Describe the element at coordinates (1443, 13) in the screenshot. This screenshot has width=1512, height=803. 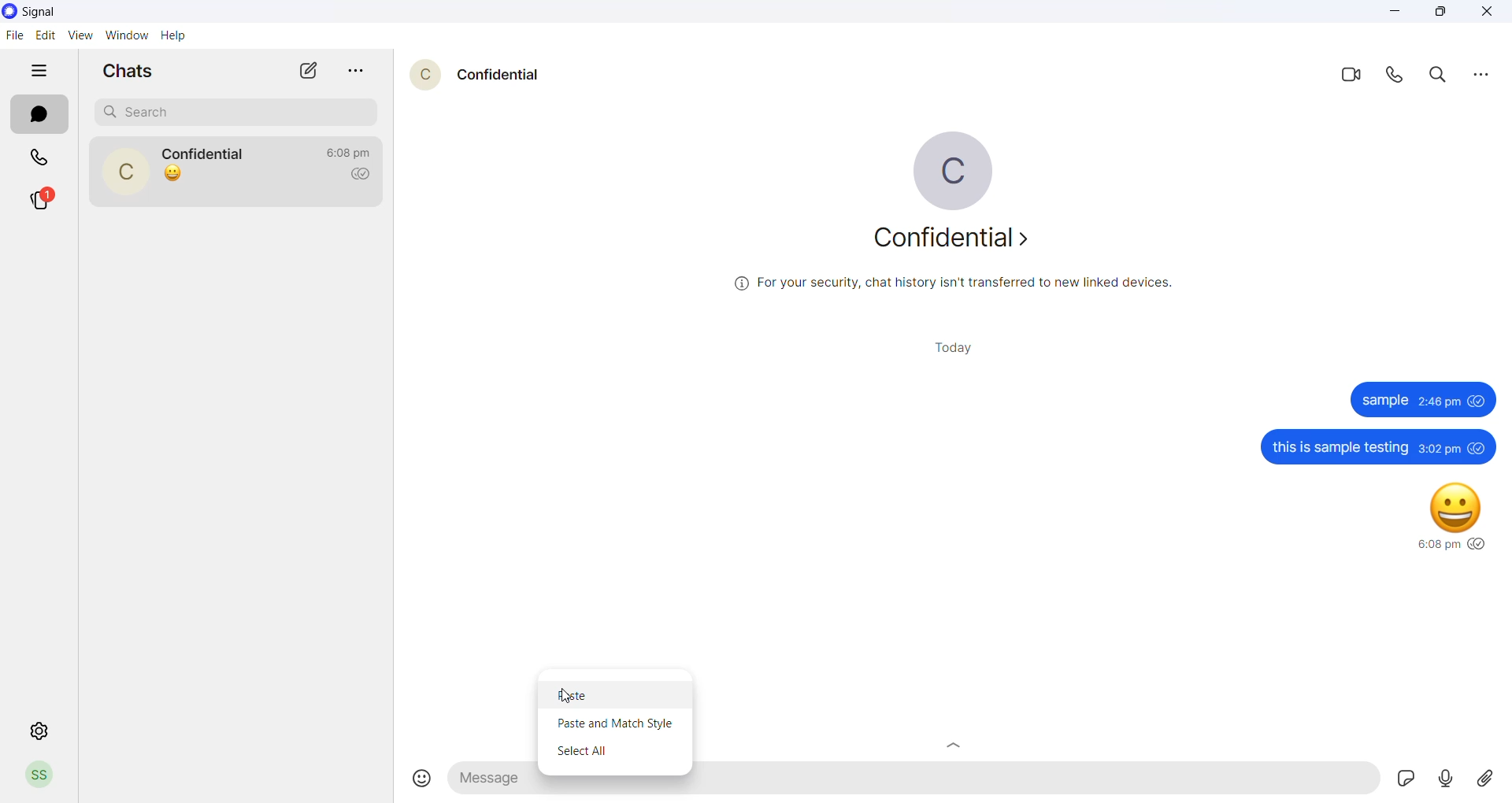
I see `maximize` at that location.